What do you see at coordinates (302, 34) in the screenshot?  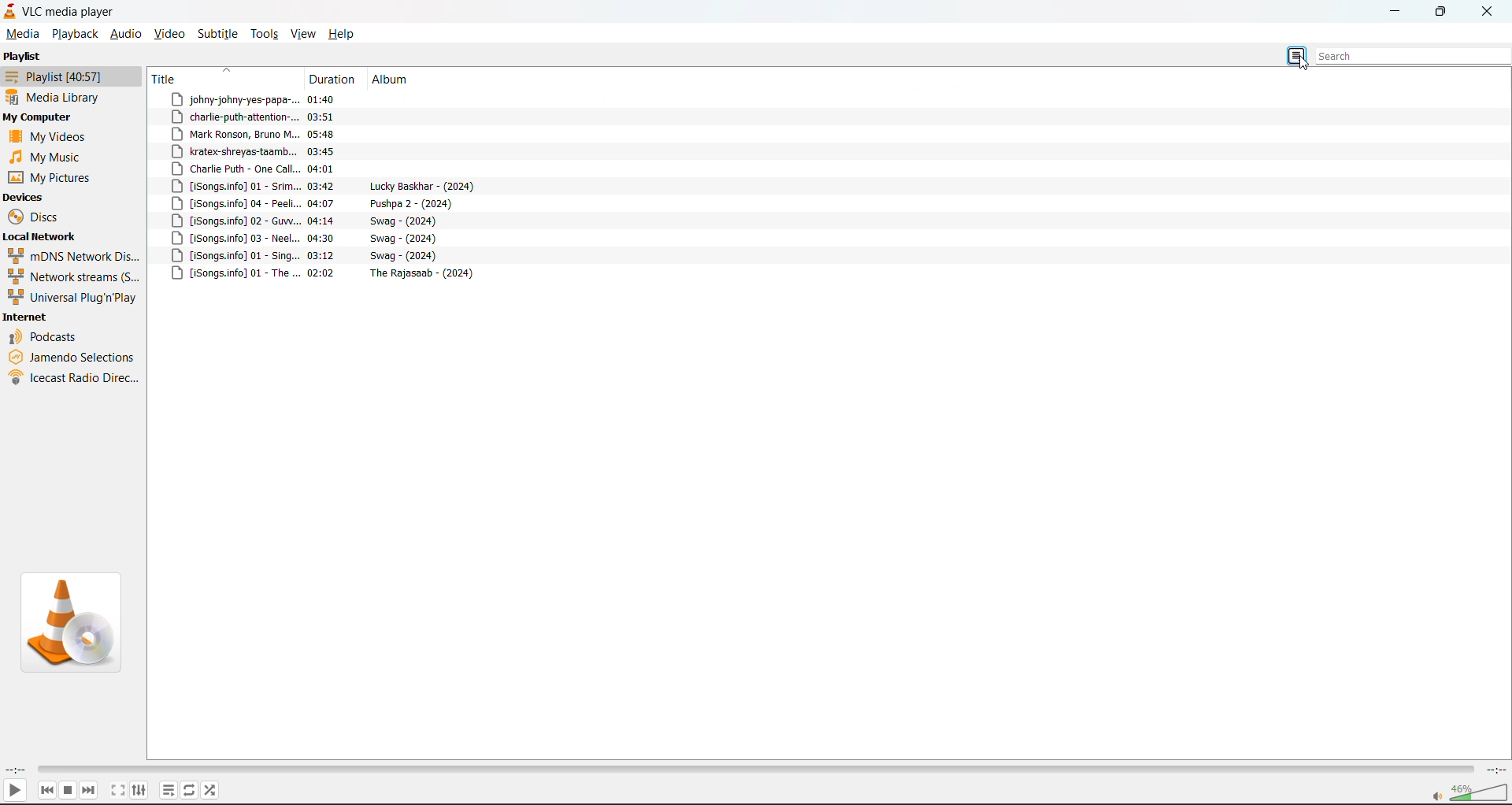 I see `view` at bounding box center [302, 34].